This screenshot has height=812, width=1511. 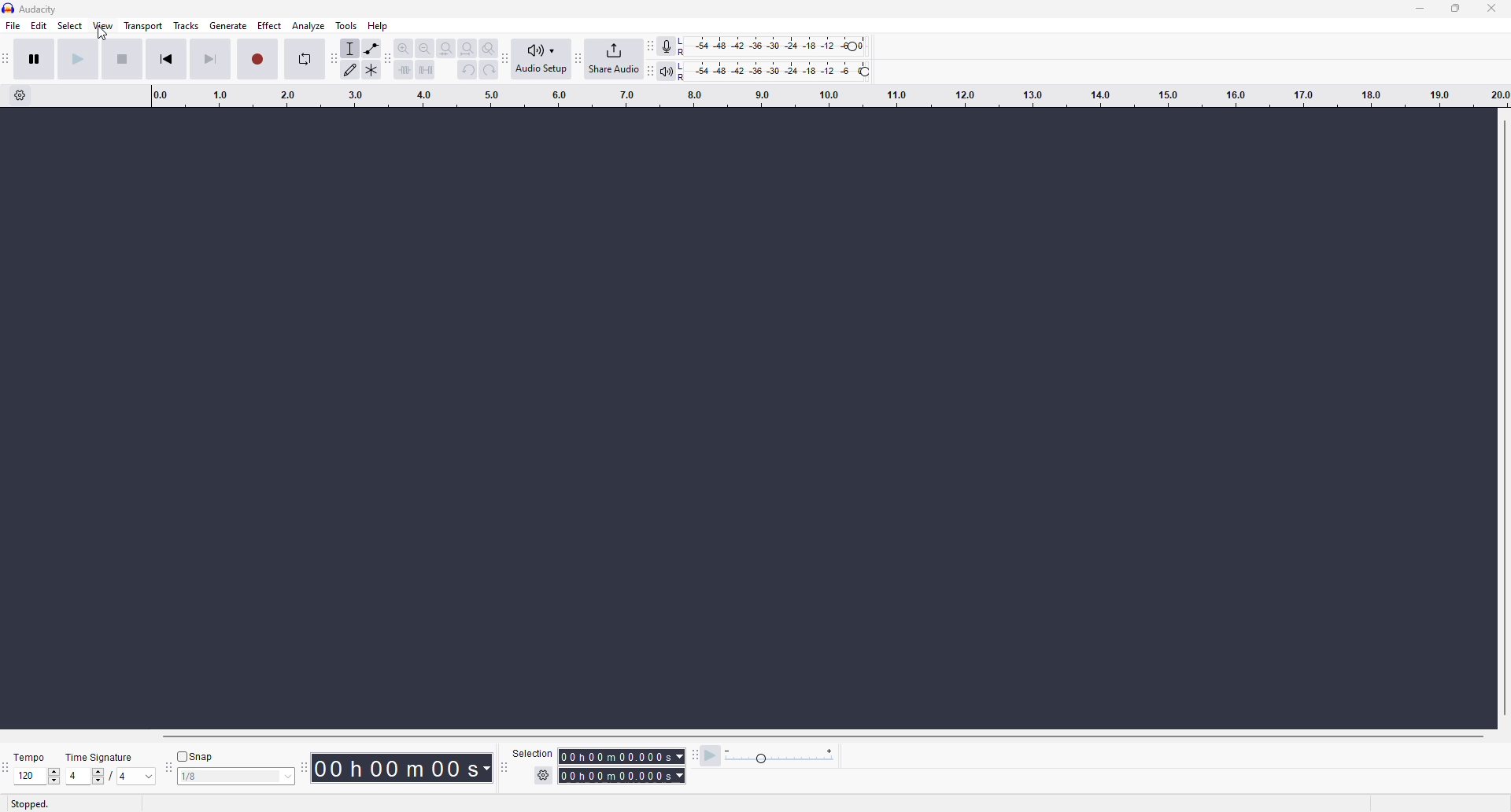 What do you see at coordinates (532, 753) in the screenshot?
I see `selection` at bounding box center [532, 753].